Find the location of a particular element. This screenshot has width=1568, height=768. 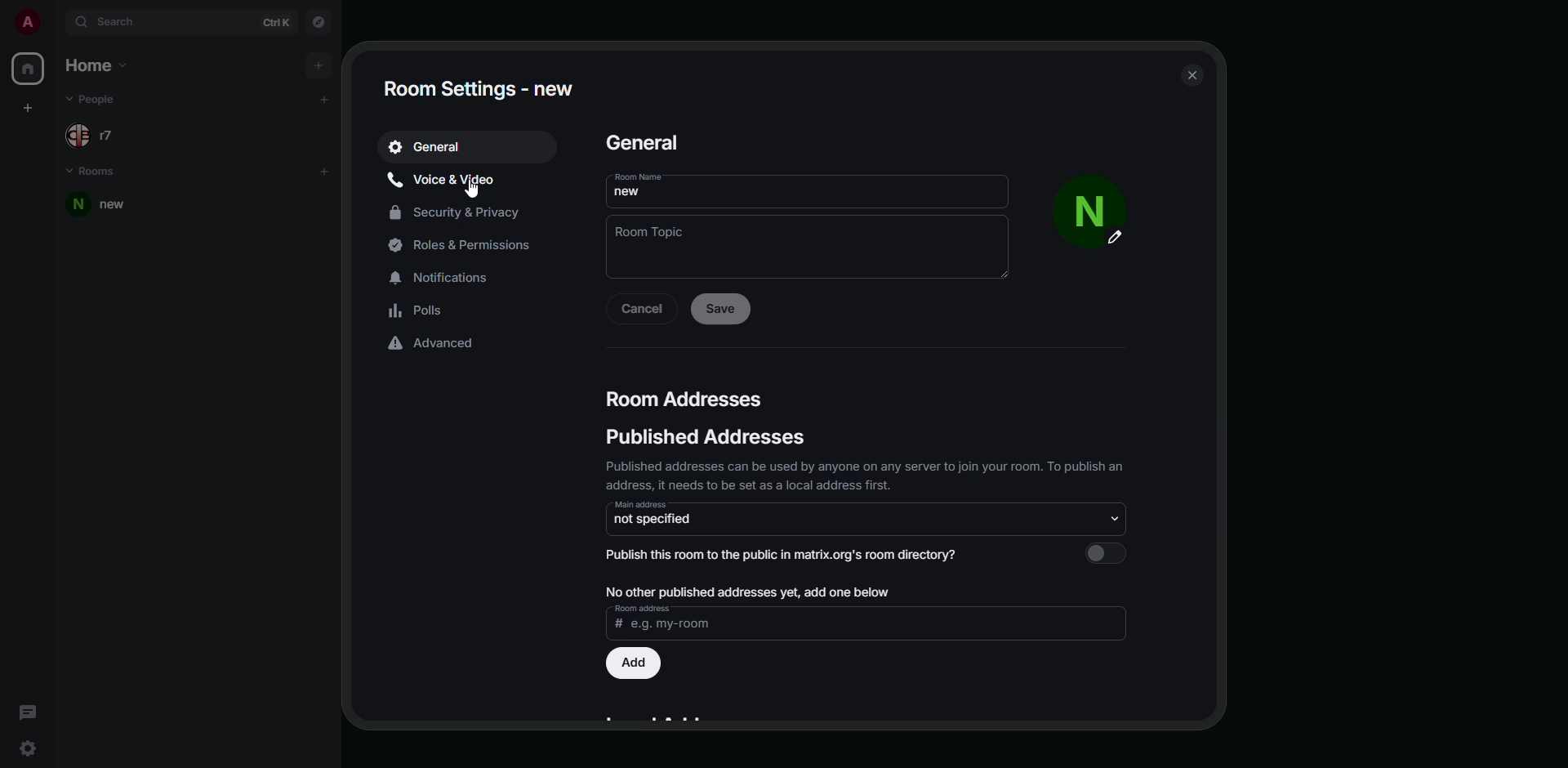

room options is located at coordinates (305, 204).